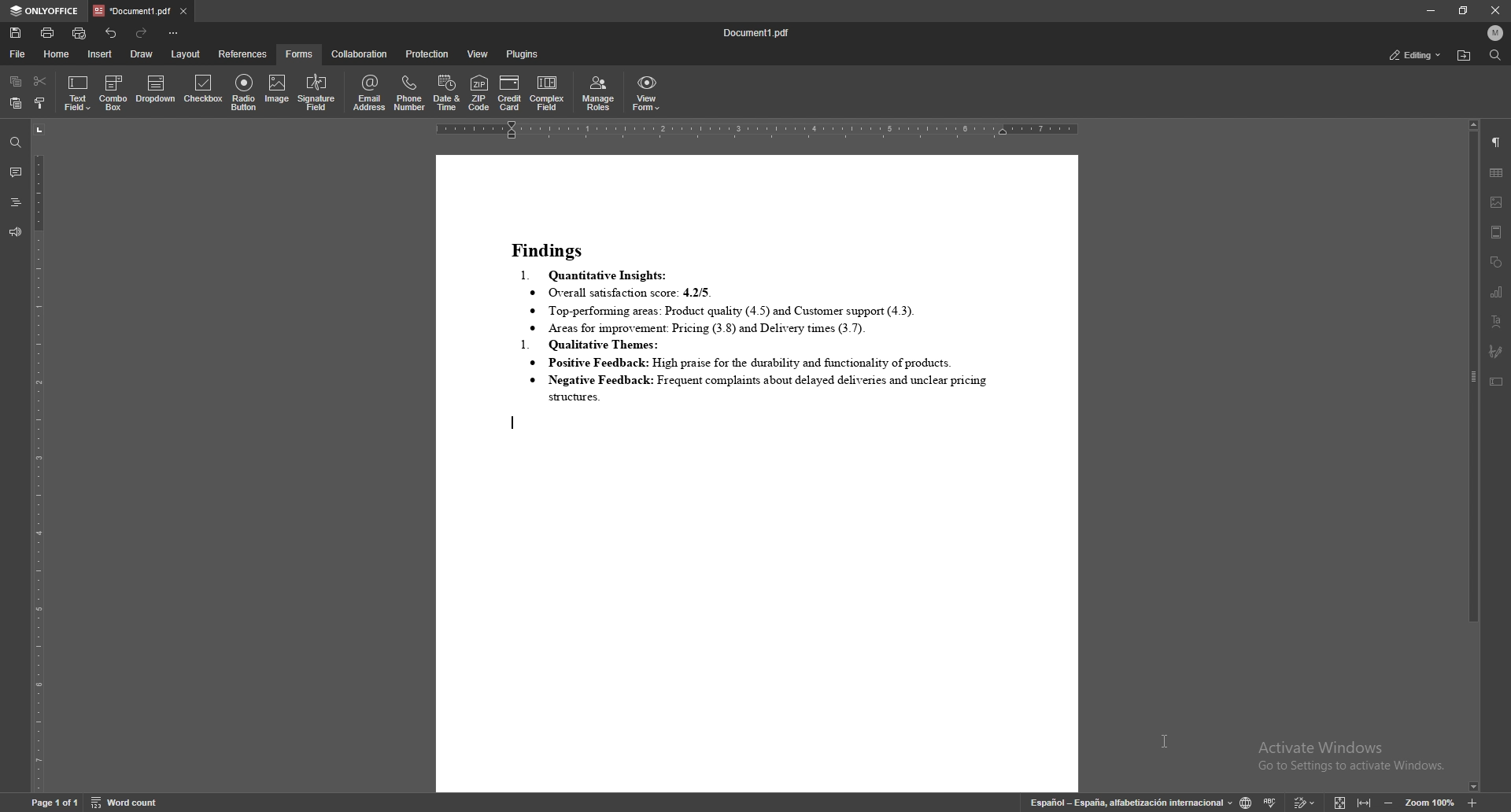 The width and height of the screenshot is (1511, 812). Describe the element at coordinates (57, 55) in the screenshot. I see `home` at that location.